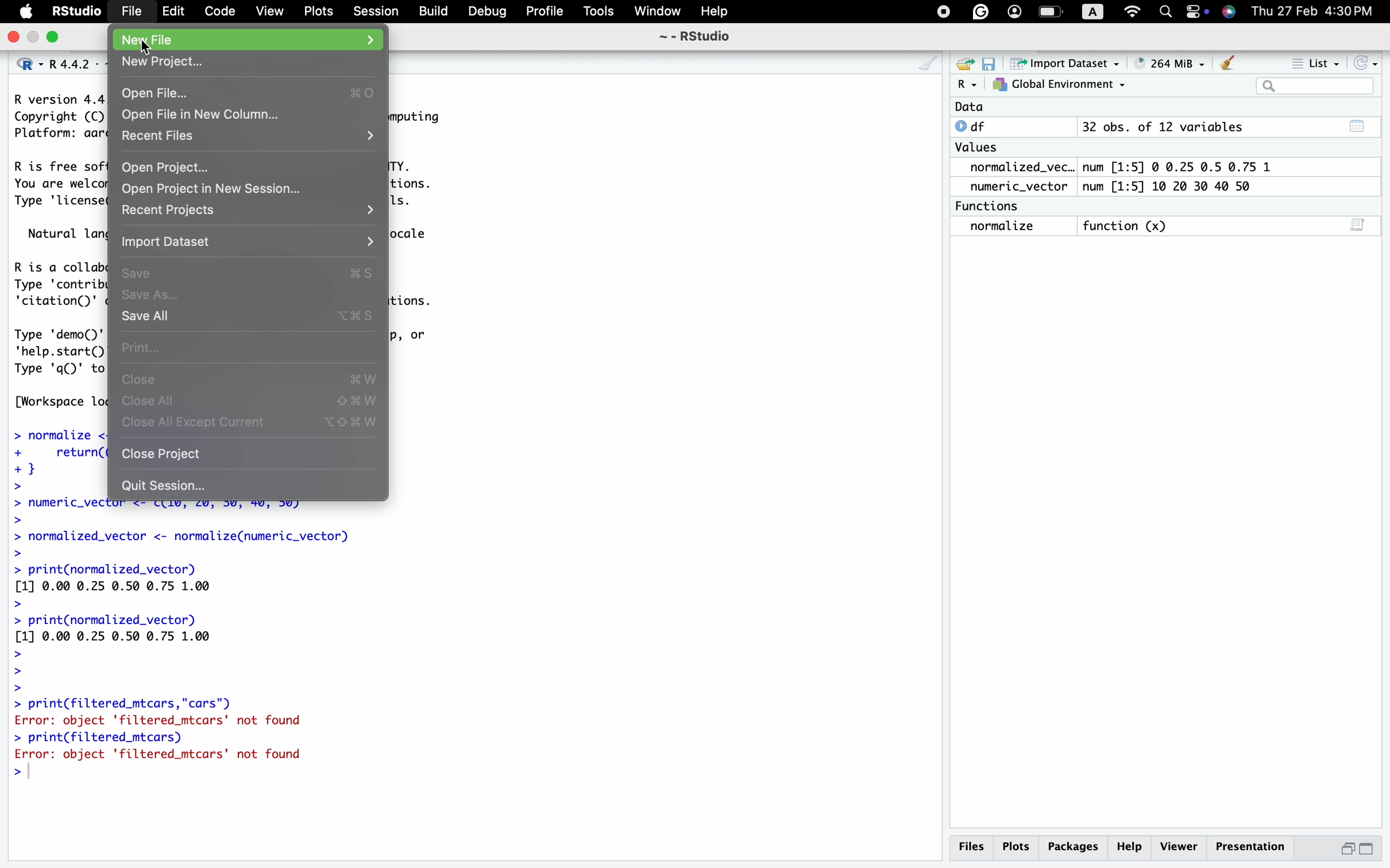  I want to click on clear objects from the workspace, so click(1228, 63).